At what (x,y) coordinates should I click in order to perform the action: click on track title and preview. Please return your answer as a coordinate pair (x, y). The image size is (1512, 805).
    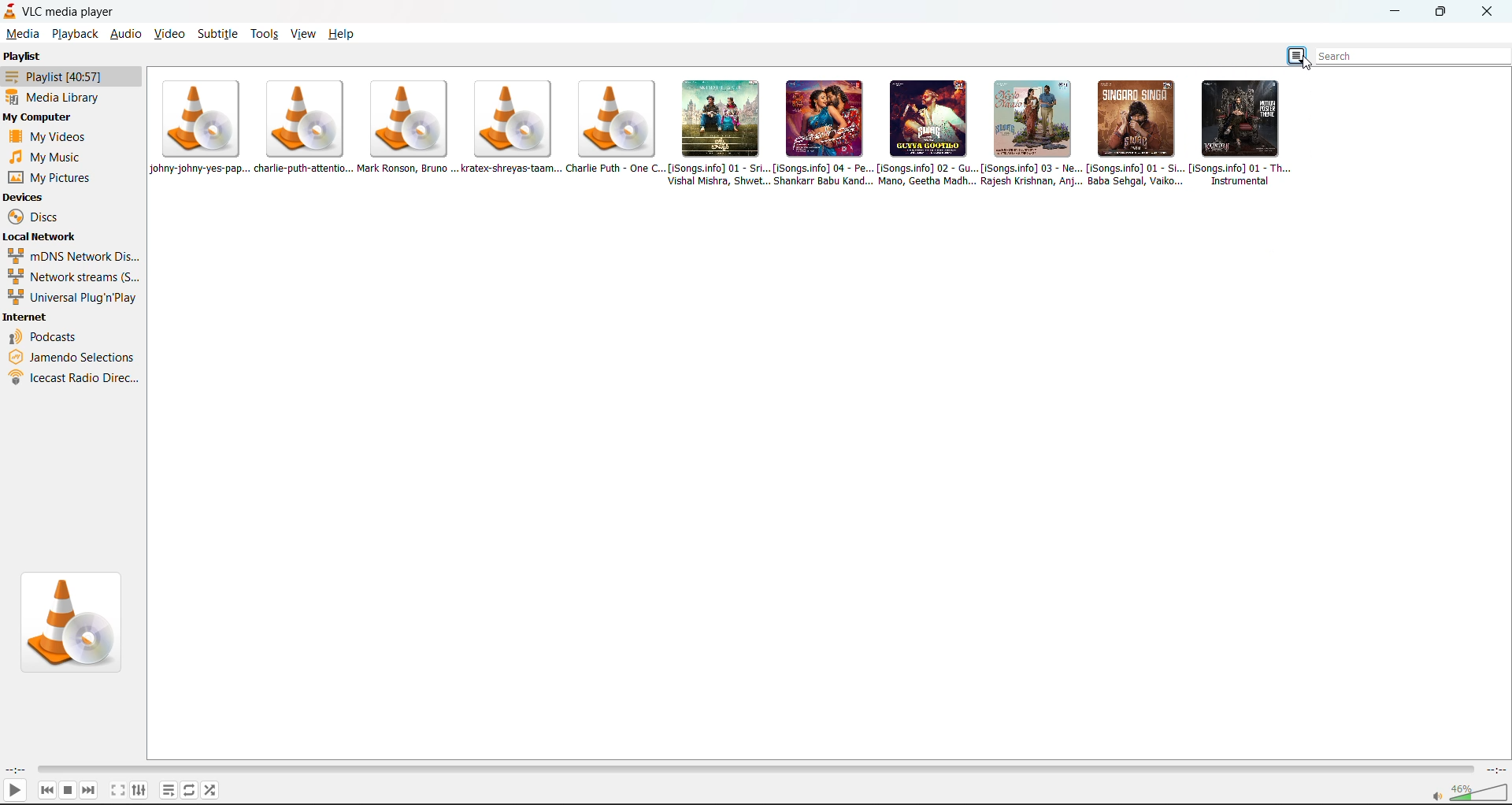
    Looking at the image, I should click on (1133, 133).